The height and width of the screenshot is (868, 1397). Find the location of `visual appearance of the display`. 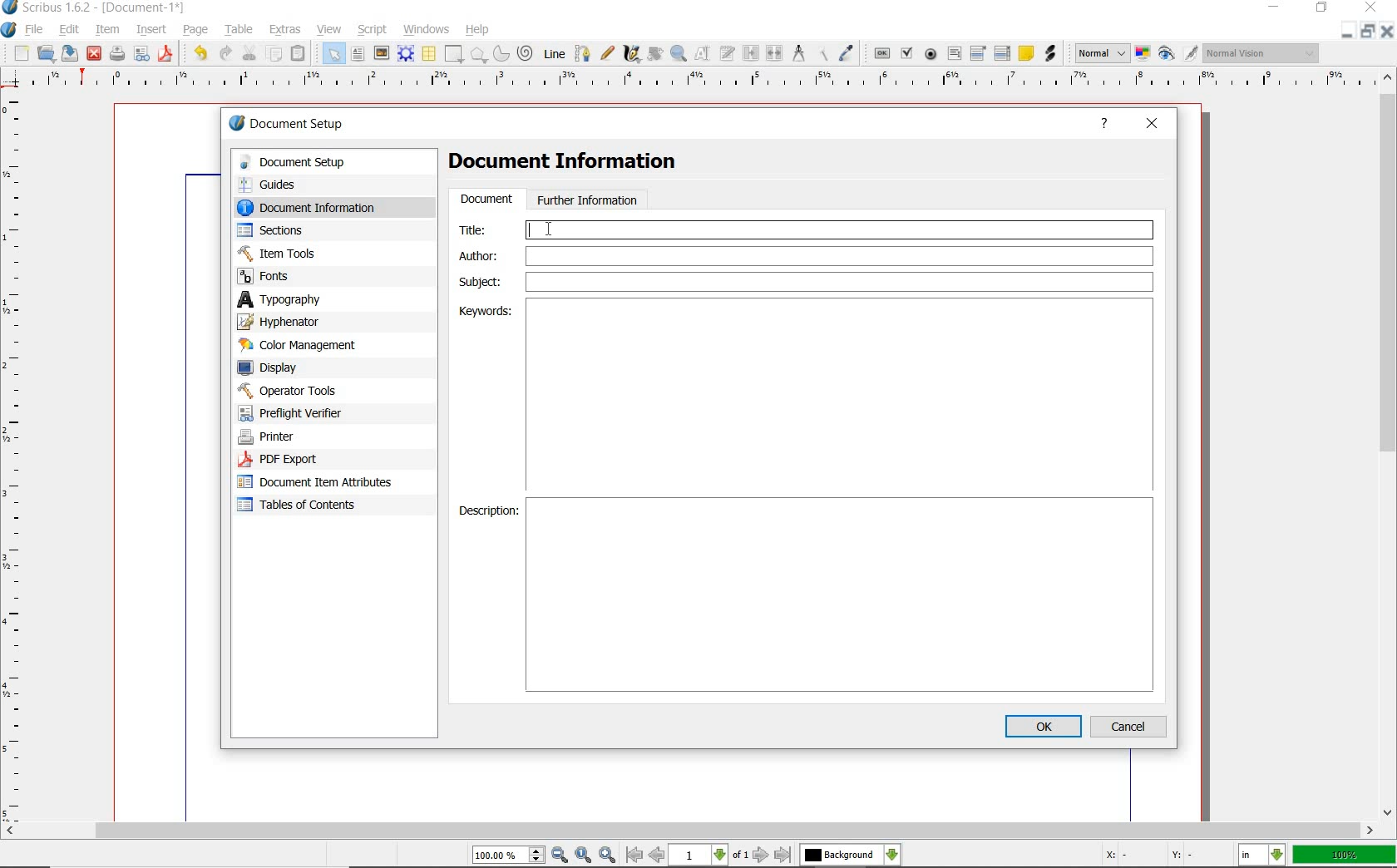

visual appearance of the display is located at coordinates (1262, 52).